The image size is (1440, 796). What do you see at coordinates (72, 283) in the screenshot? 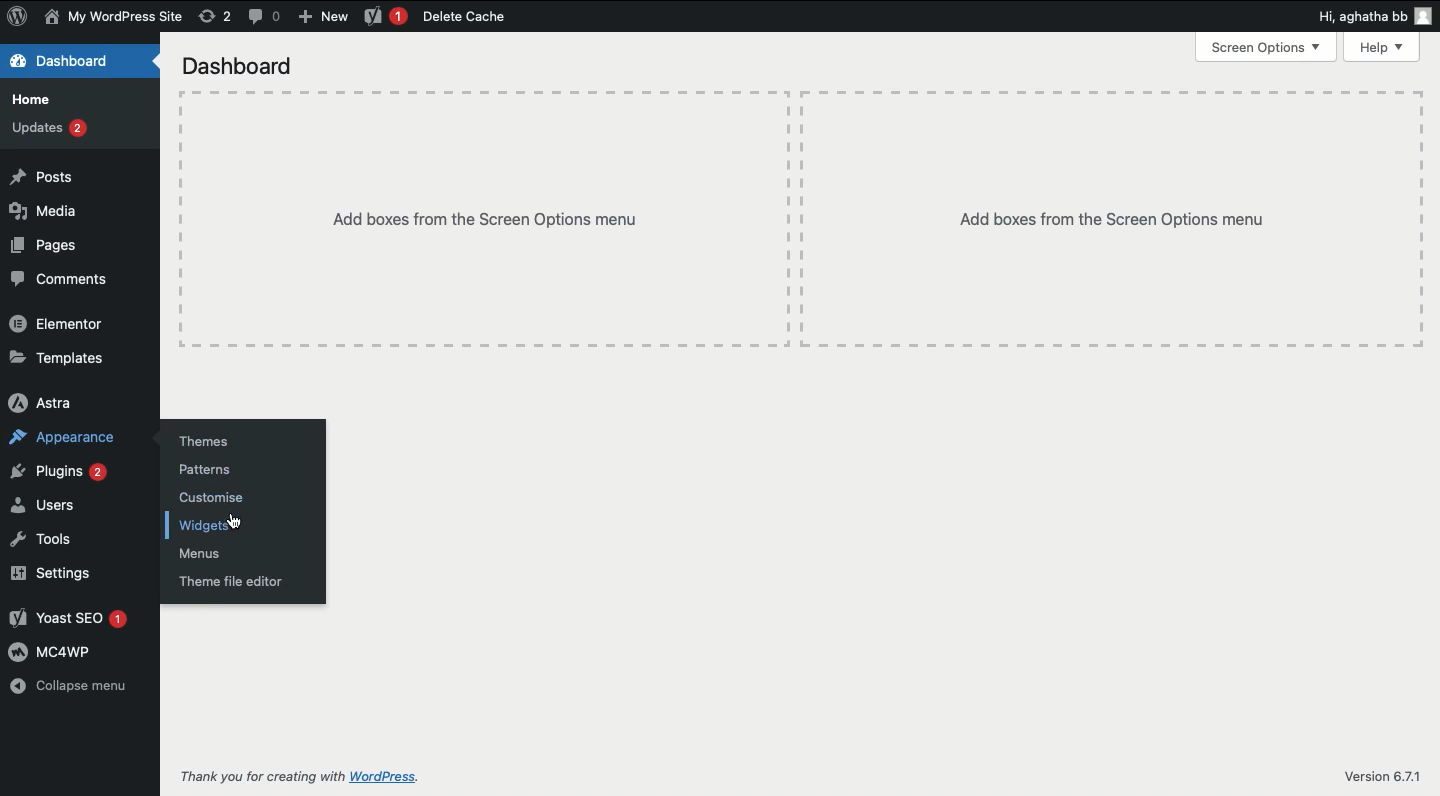
I see `Comments.` at bounding box center [72, 283].